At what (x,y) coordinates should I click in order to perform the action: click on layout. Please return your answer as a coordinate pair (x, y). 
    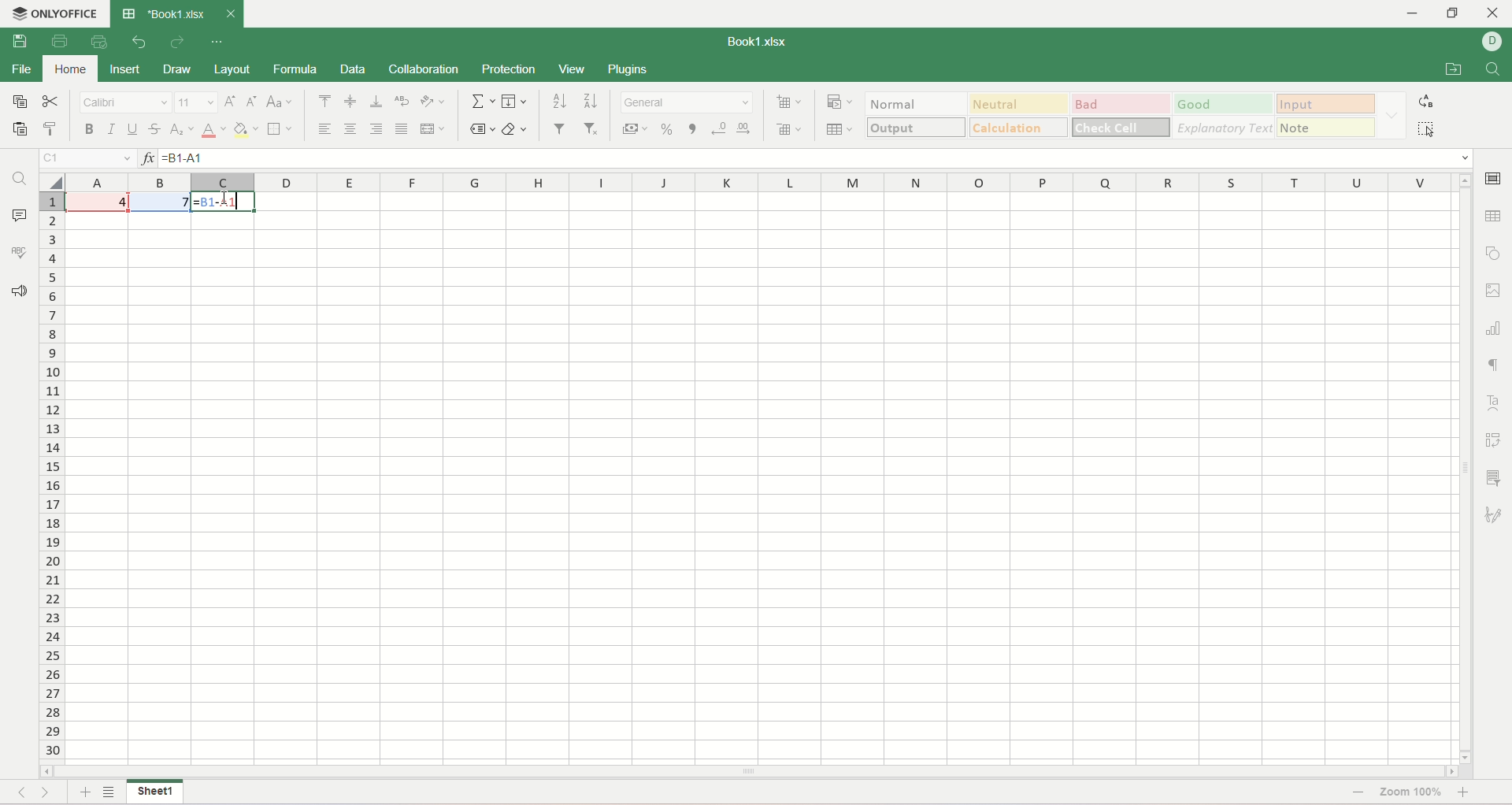
    Looking at the image, I should click on (231, 69).